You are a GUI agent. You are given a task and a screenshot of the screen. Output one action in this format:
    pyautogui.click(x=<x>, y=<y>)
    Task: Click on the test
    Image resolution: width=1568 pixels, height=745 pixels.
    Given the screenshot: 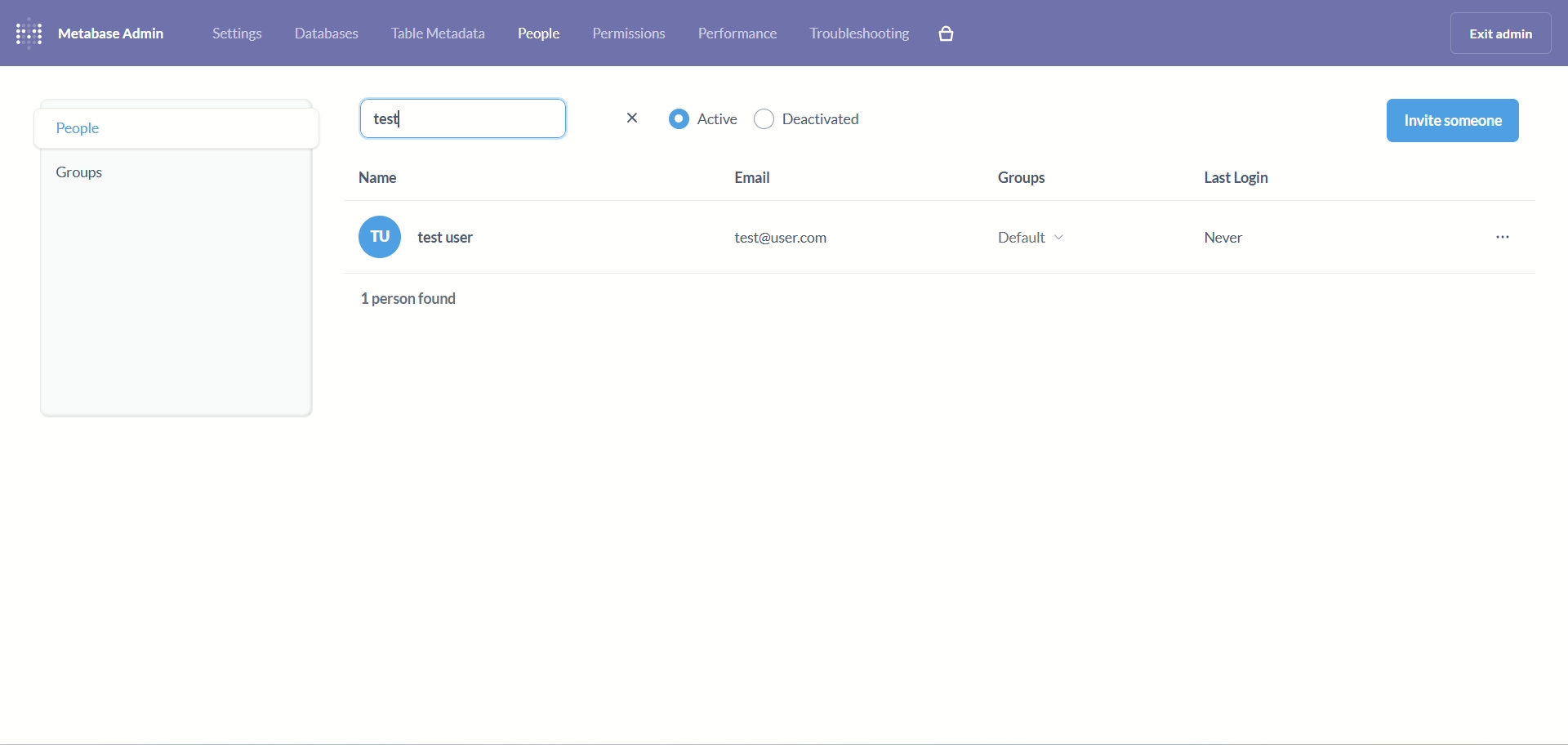 What is the action you would take?
    pyautogui.click(x=466, y=120)
    